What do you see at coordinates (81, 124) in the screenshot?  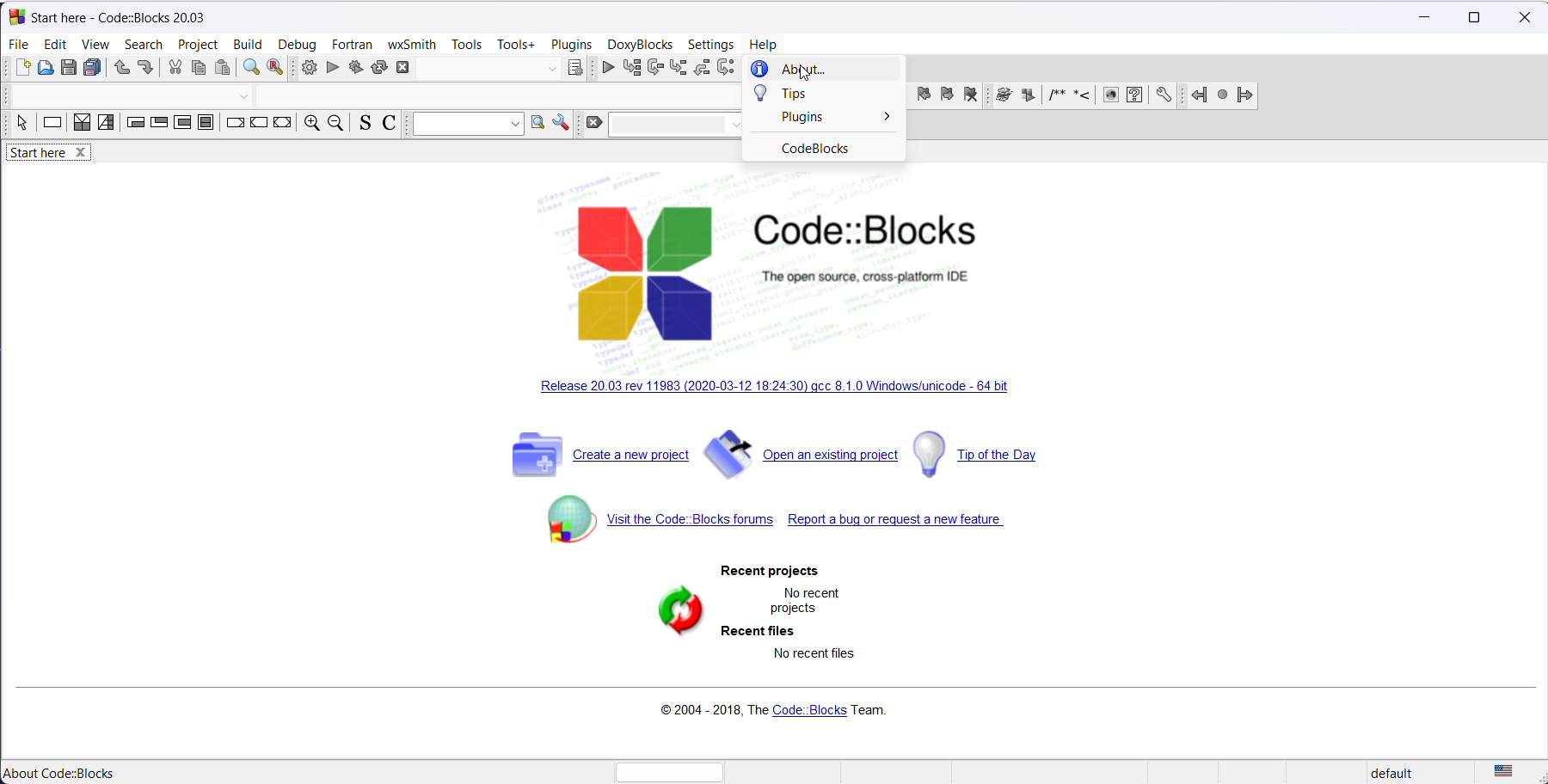 I see `decision ` at bounding box center [81, 124].